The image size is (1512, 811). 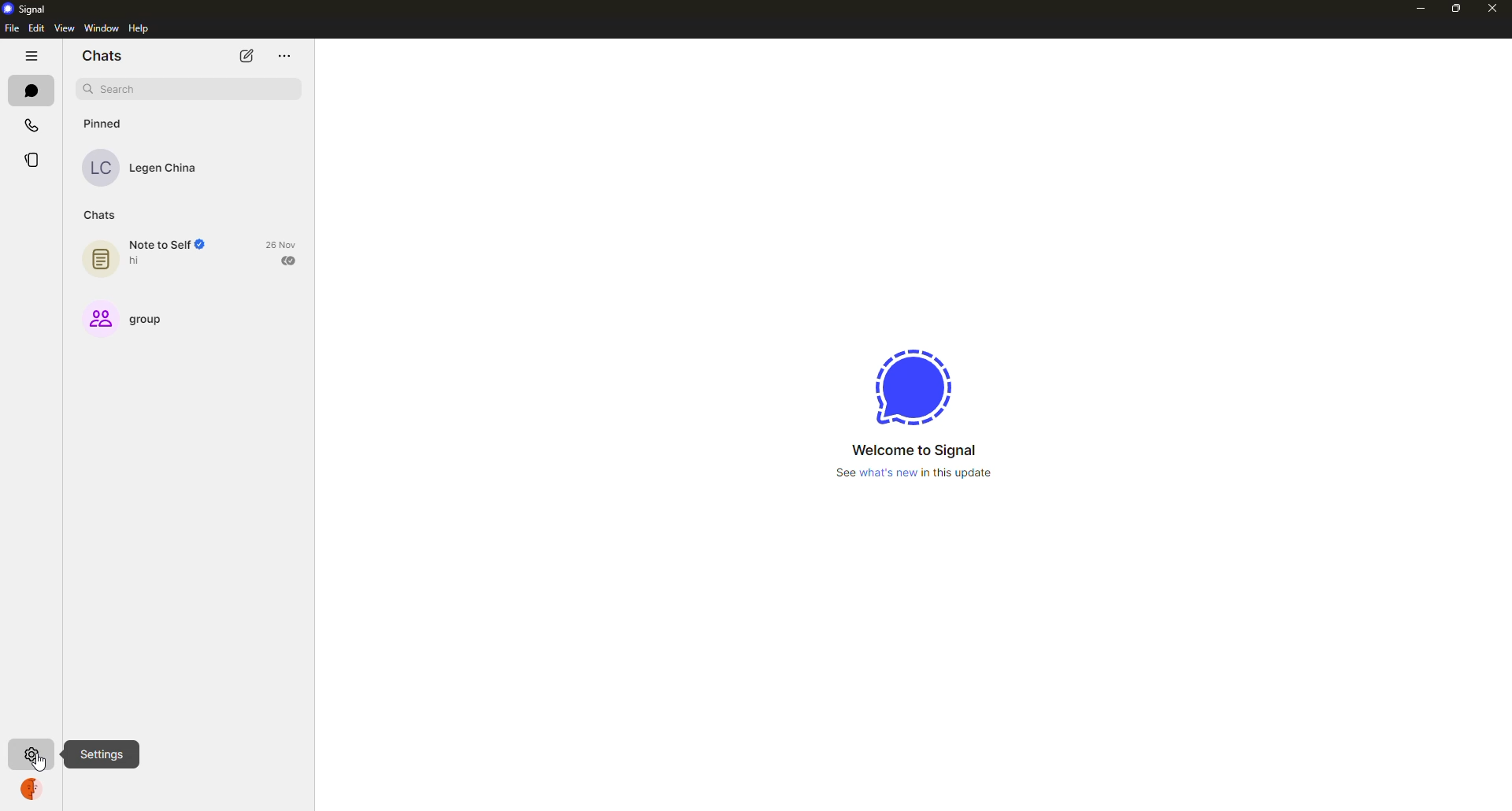 What do you see at coordinates (31, 754) in the screenshot?
I see `settings` at bounding box center [31, 754].